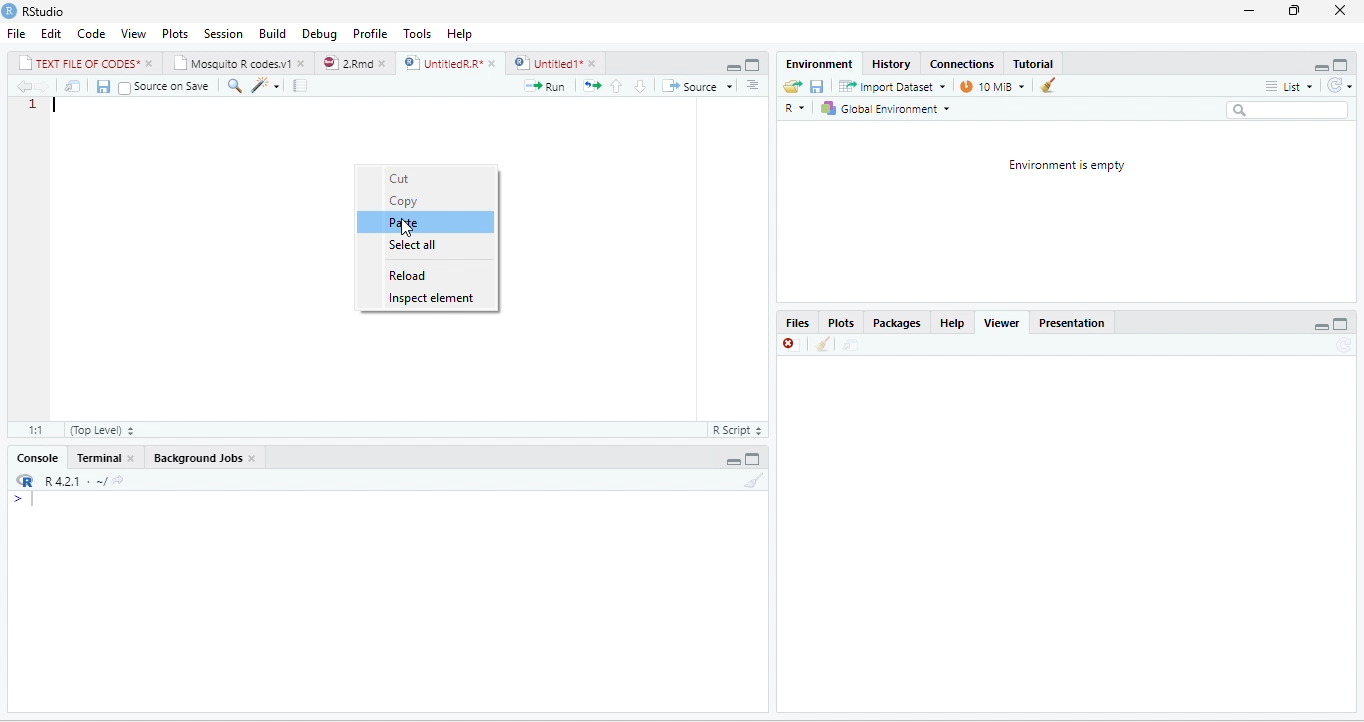 Image resolution: width=1364 pixels, height=722 pixels. Describe the element at coordinates (232, 62) in the screenshot. I see `‘Mosquito R codes.v1` at that location.